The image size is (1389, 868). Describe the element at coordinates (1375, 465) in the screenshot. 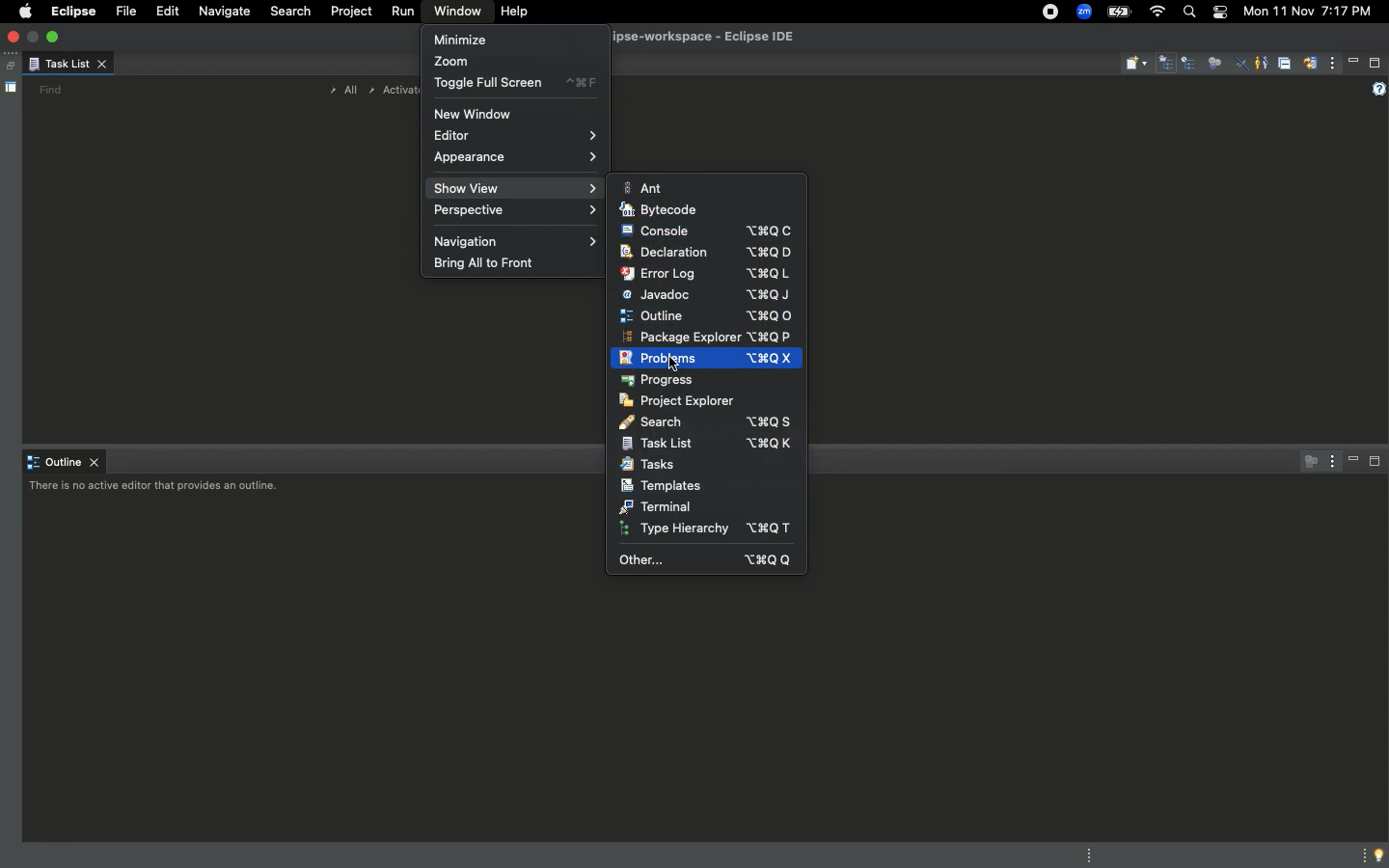

I see `Maximize` at that location.